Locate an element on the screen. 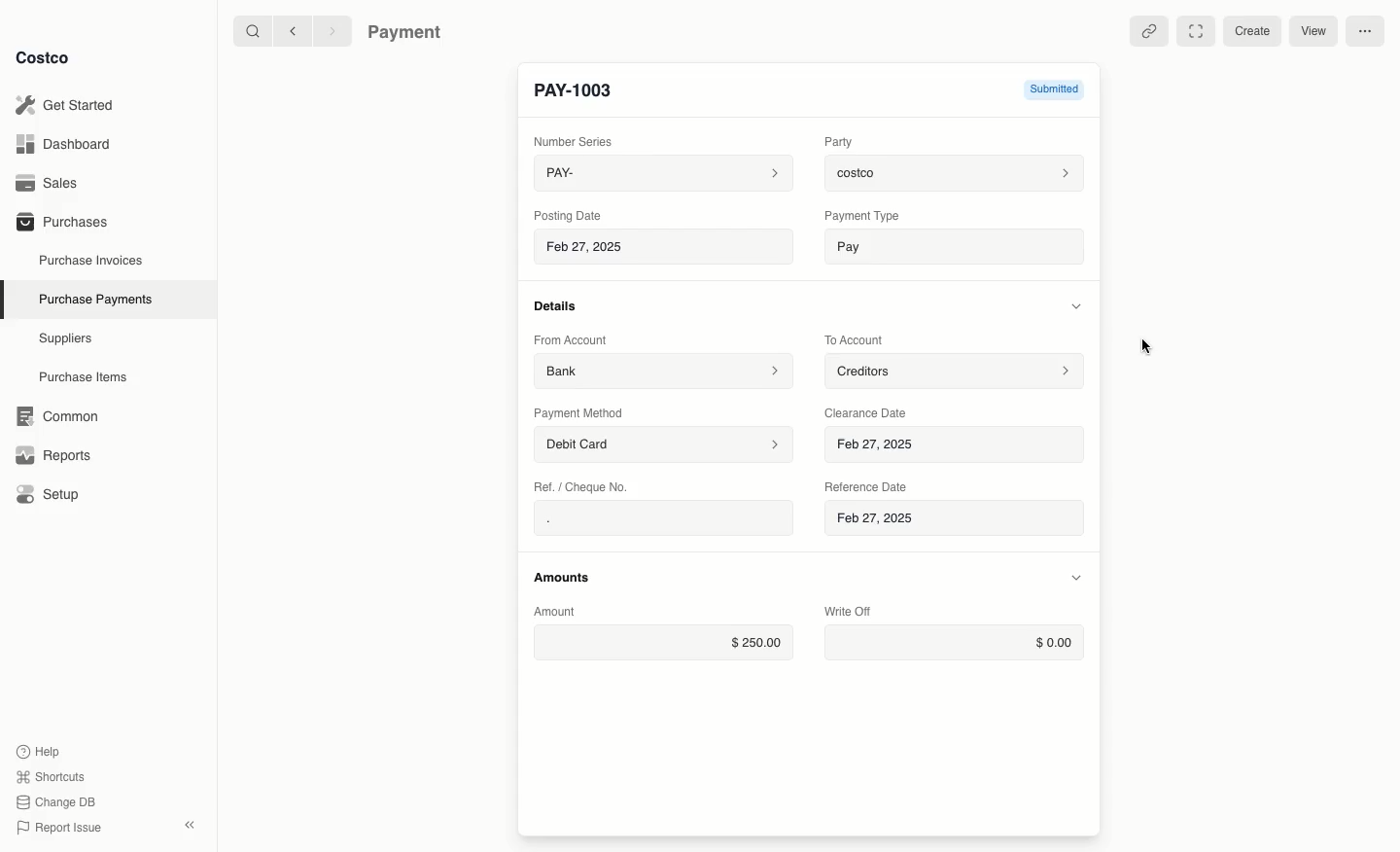 Image resolution: width=1400 pixels, height=852 pixels. Get Started is located at coordinates (69, 105).